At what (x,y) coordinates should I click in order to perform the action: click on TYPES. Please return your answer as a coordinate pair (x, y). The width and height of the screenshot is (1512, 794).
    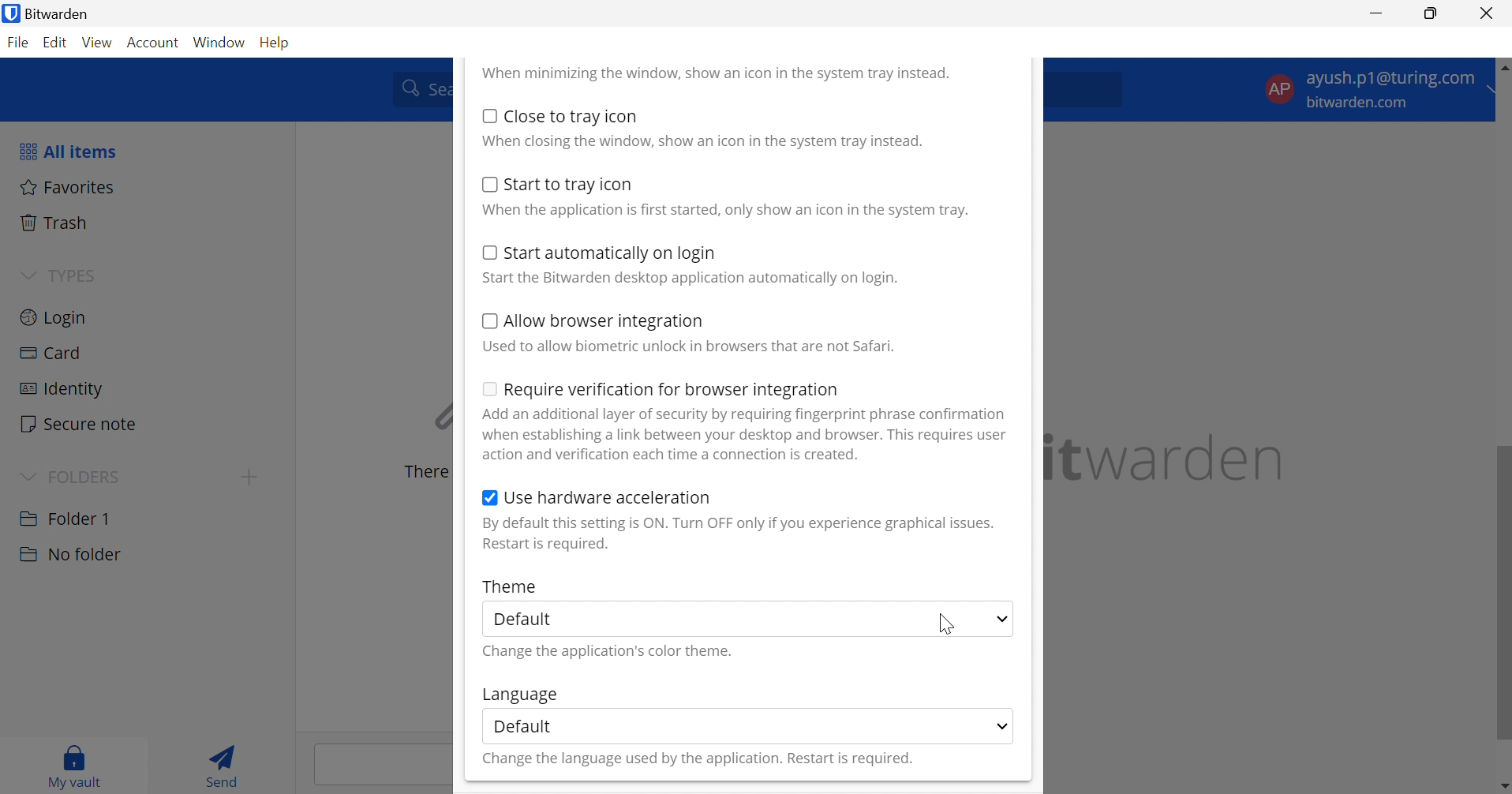
    Looking at the image, I should click on (71, 275).